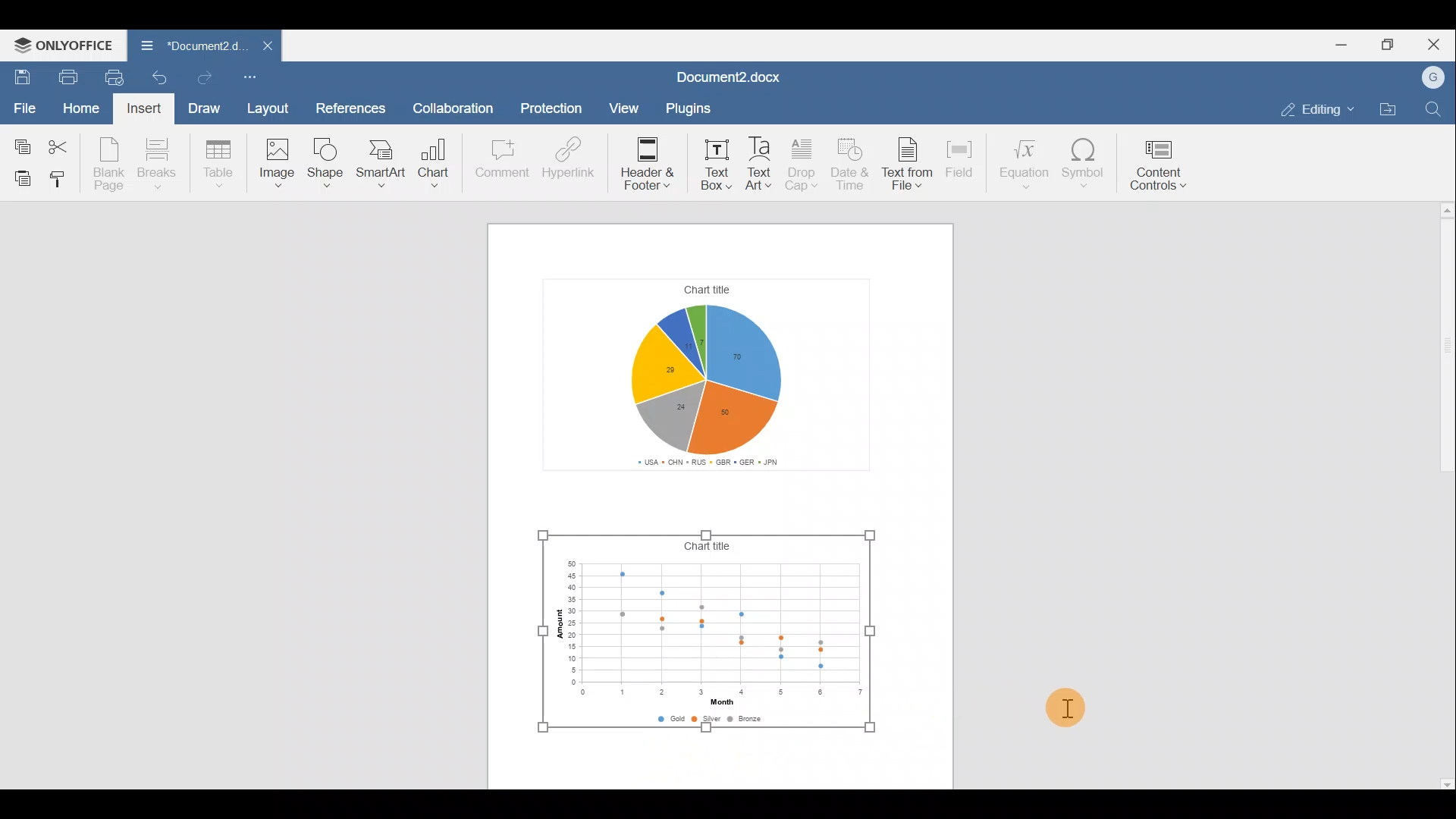 This screenshot has width=1456, height=819. Describe the element at coordinates (263, 47) in the screenshot. I see `Close document` at that location.